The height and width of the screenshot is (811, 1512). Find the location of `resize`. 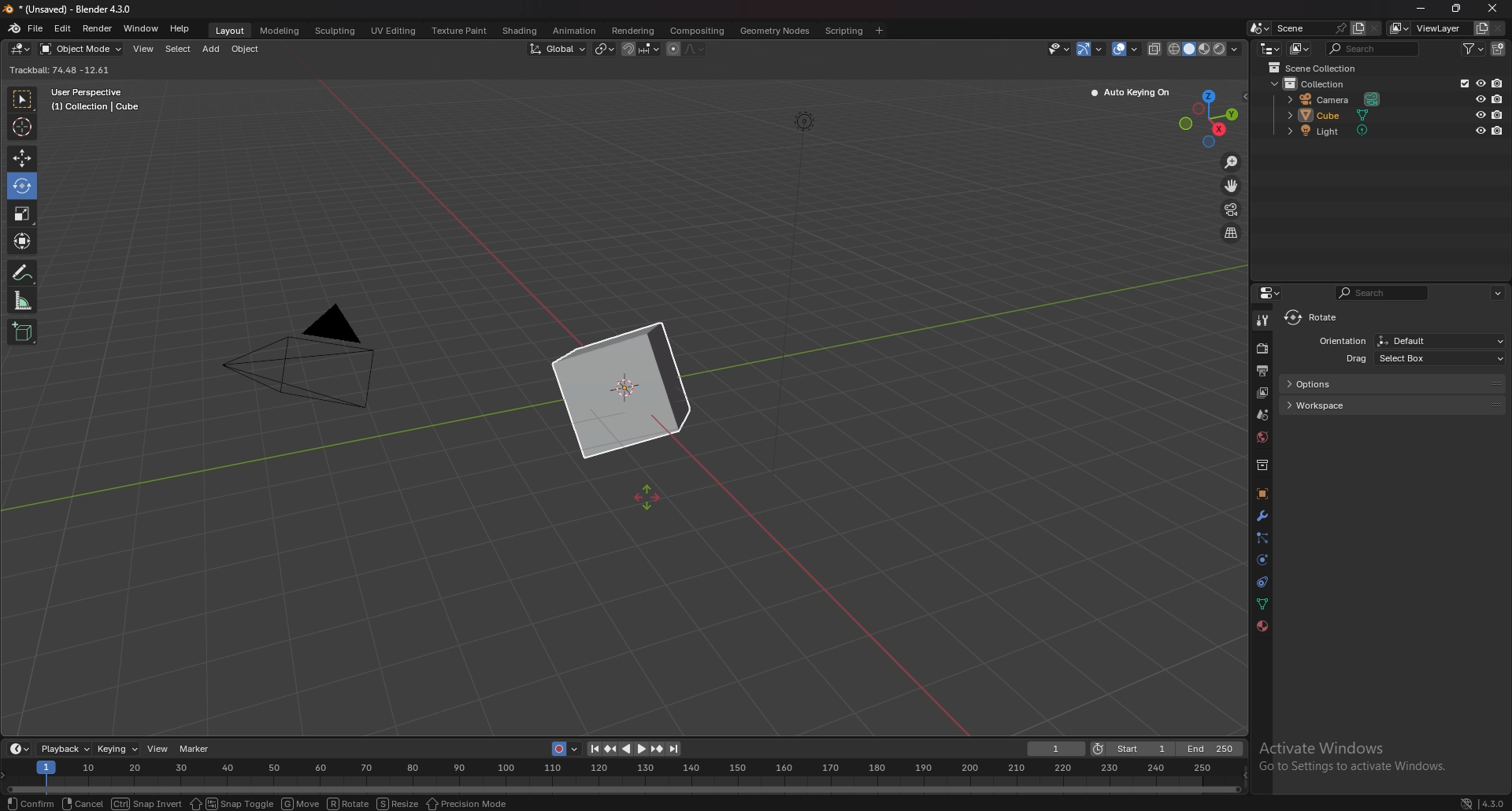

resize is located at coordinates (398, 803).